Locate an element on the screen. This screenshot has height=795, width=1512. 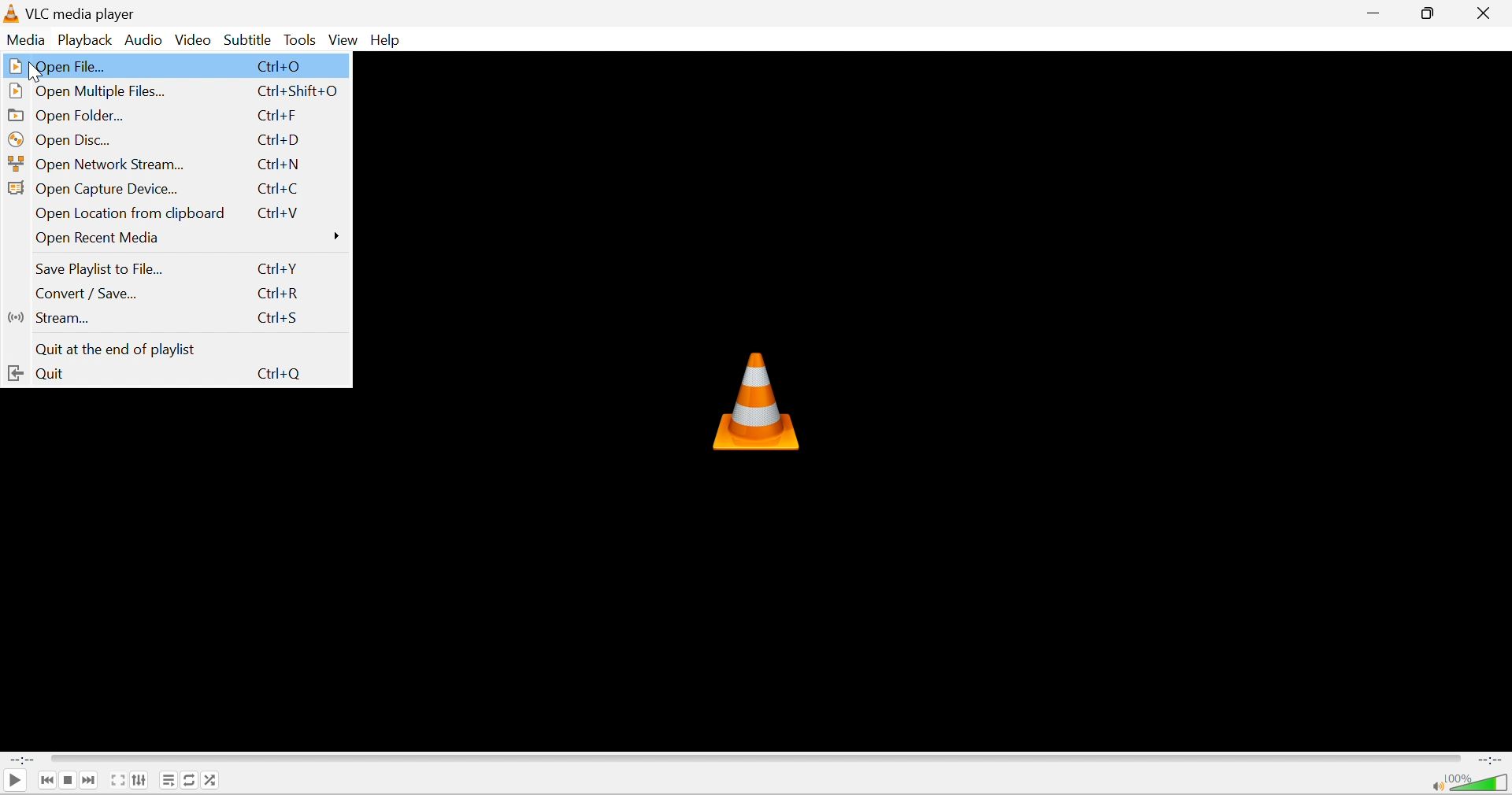
Ctrl + Q is located at coordinates (277, 371).